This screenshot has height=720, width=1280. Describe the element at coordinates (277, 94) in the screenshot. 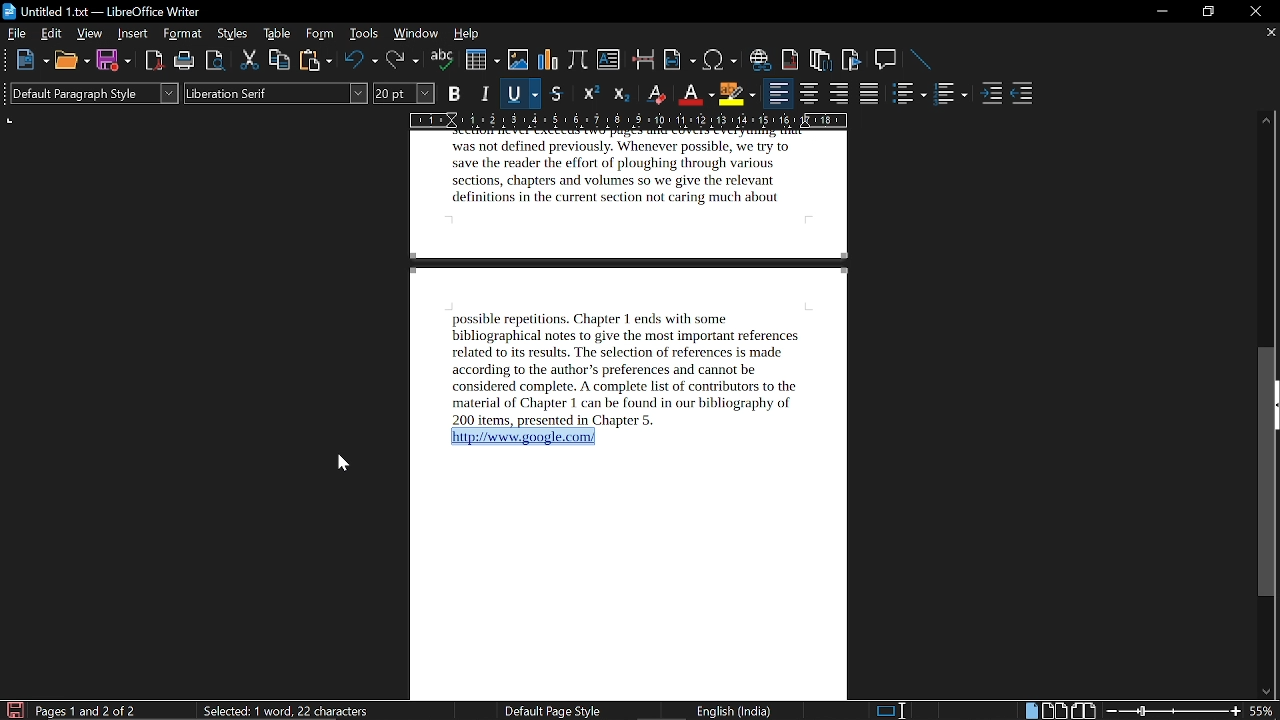

I see `font style` at that location.